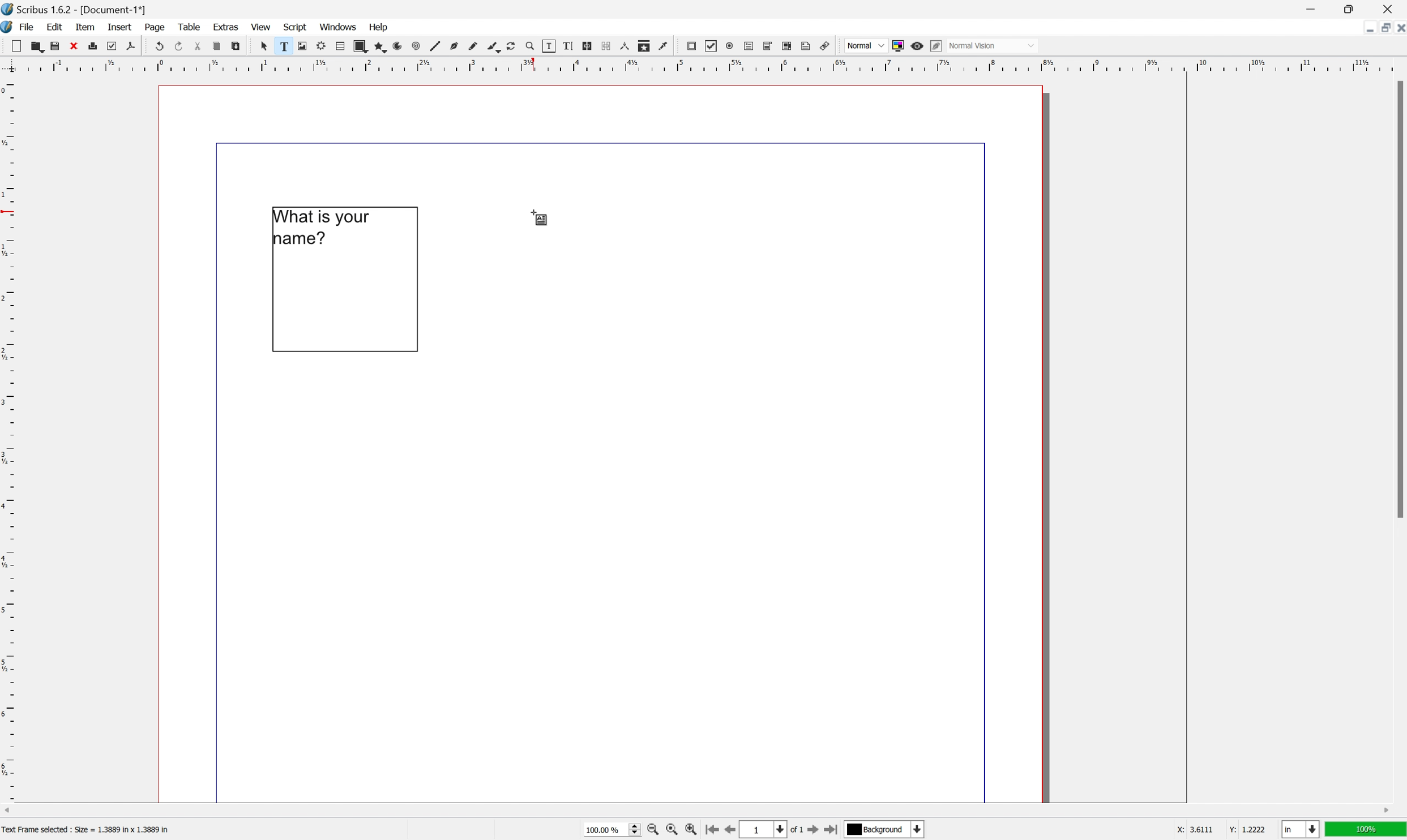  I want to click on edit text with story editor, so click(567, 45).